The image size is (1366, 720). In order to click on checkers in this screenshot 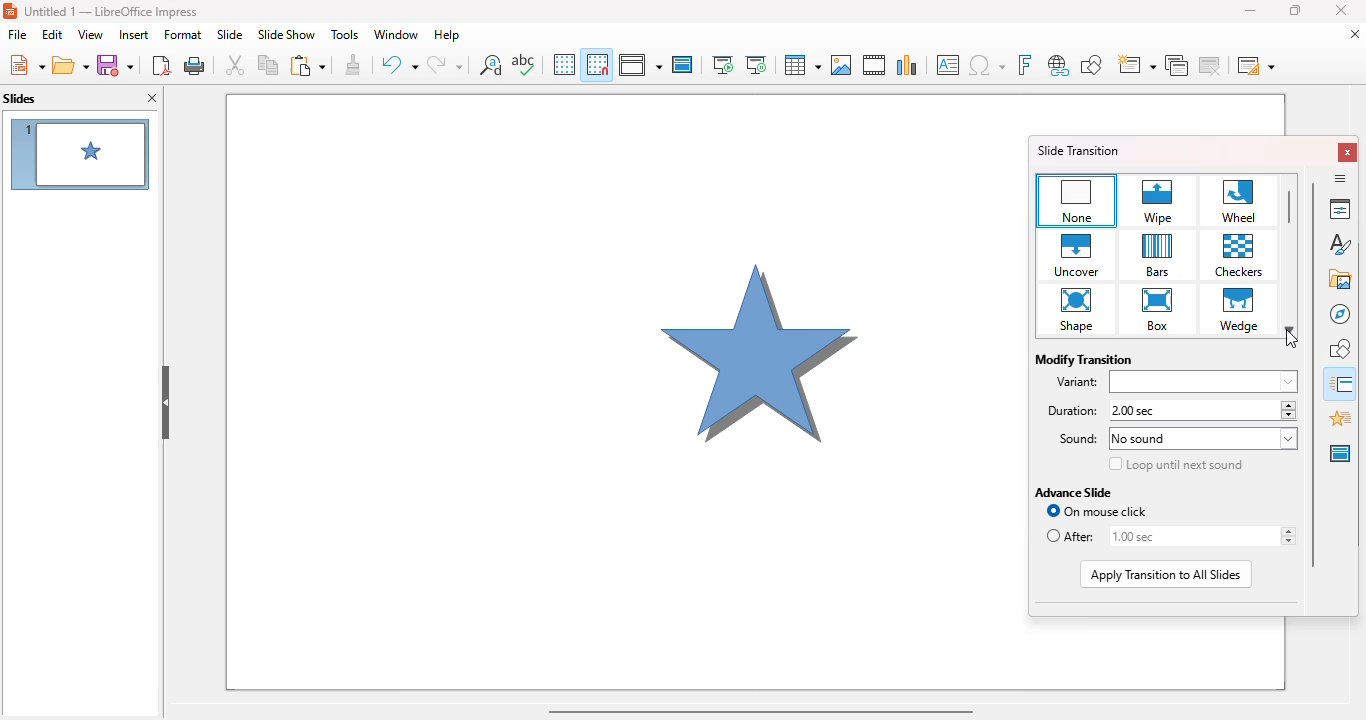, I will do `click(1240, 255)`.